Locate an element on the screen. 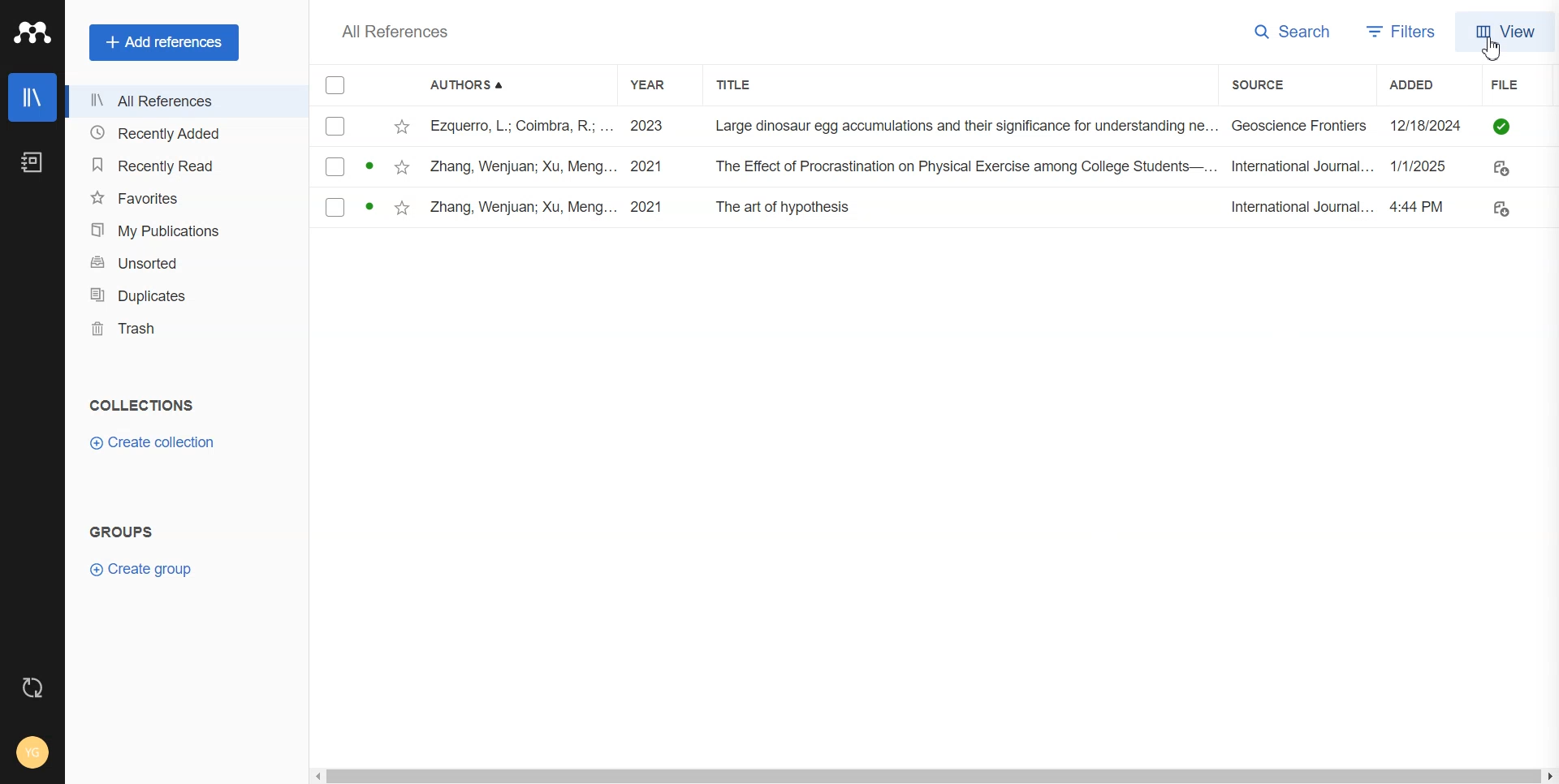 This screenshot has width=1559, height=784. All references is located at coordinates (170, 101).